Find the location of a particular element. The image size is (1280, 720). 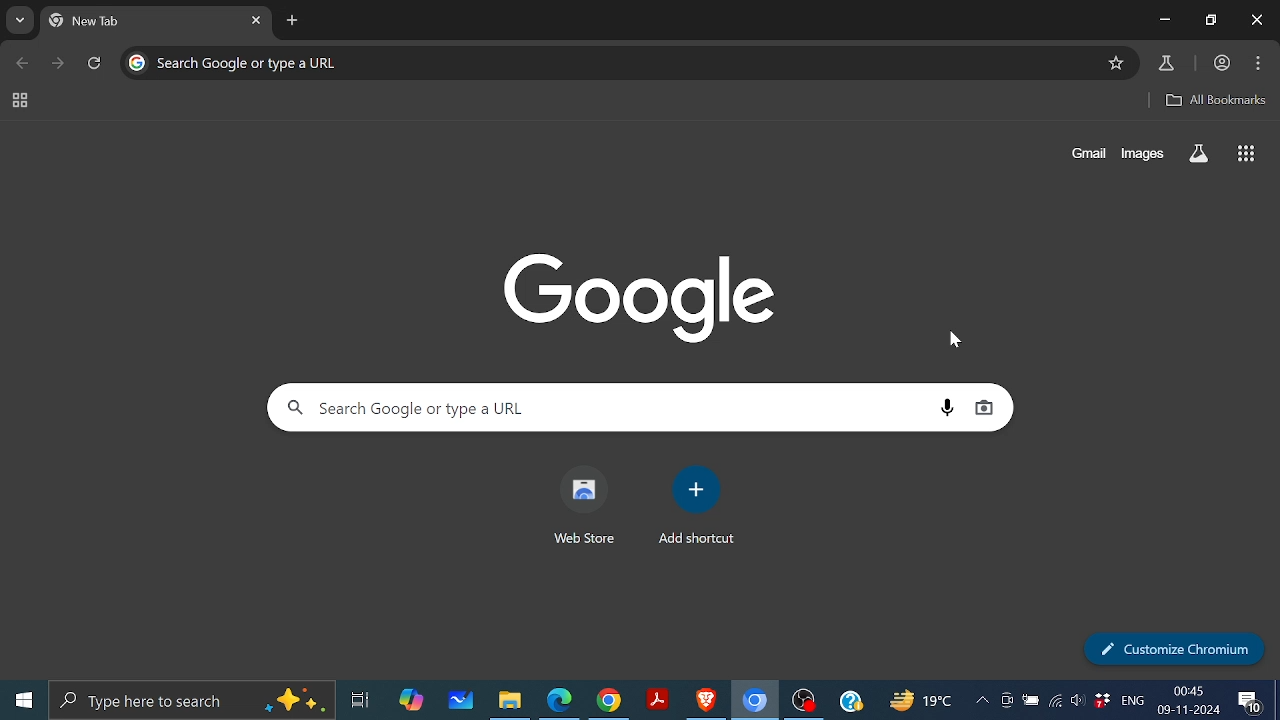

Search tabs is located at coordinates (22, 19).